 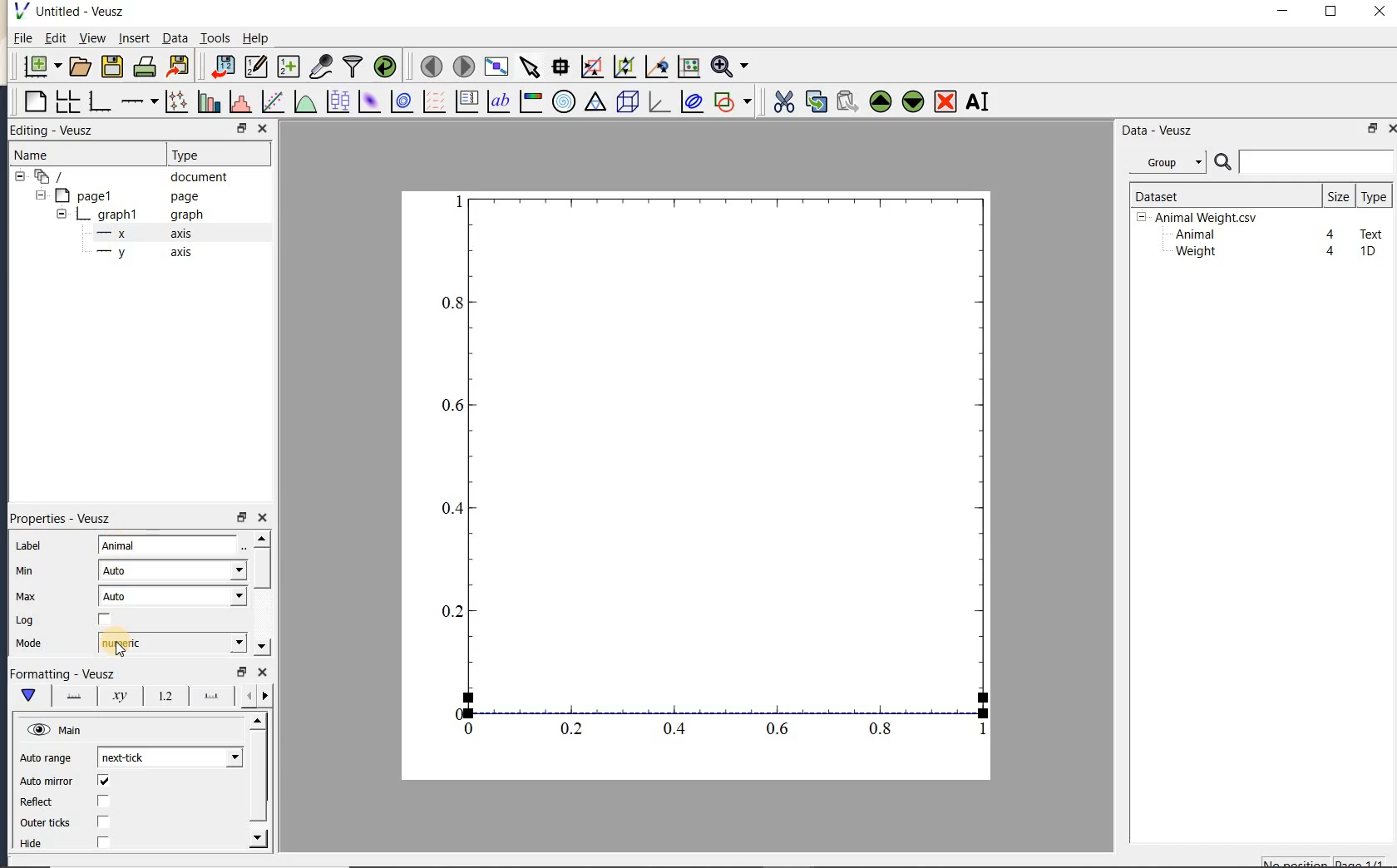 I want to click on export to graphics format, so click(x=179, y=65).